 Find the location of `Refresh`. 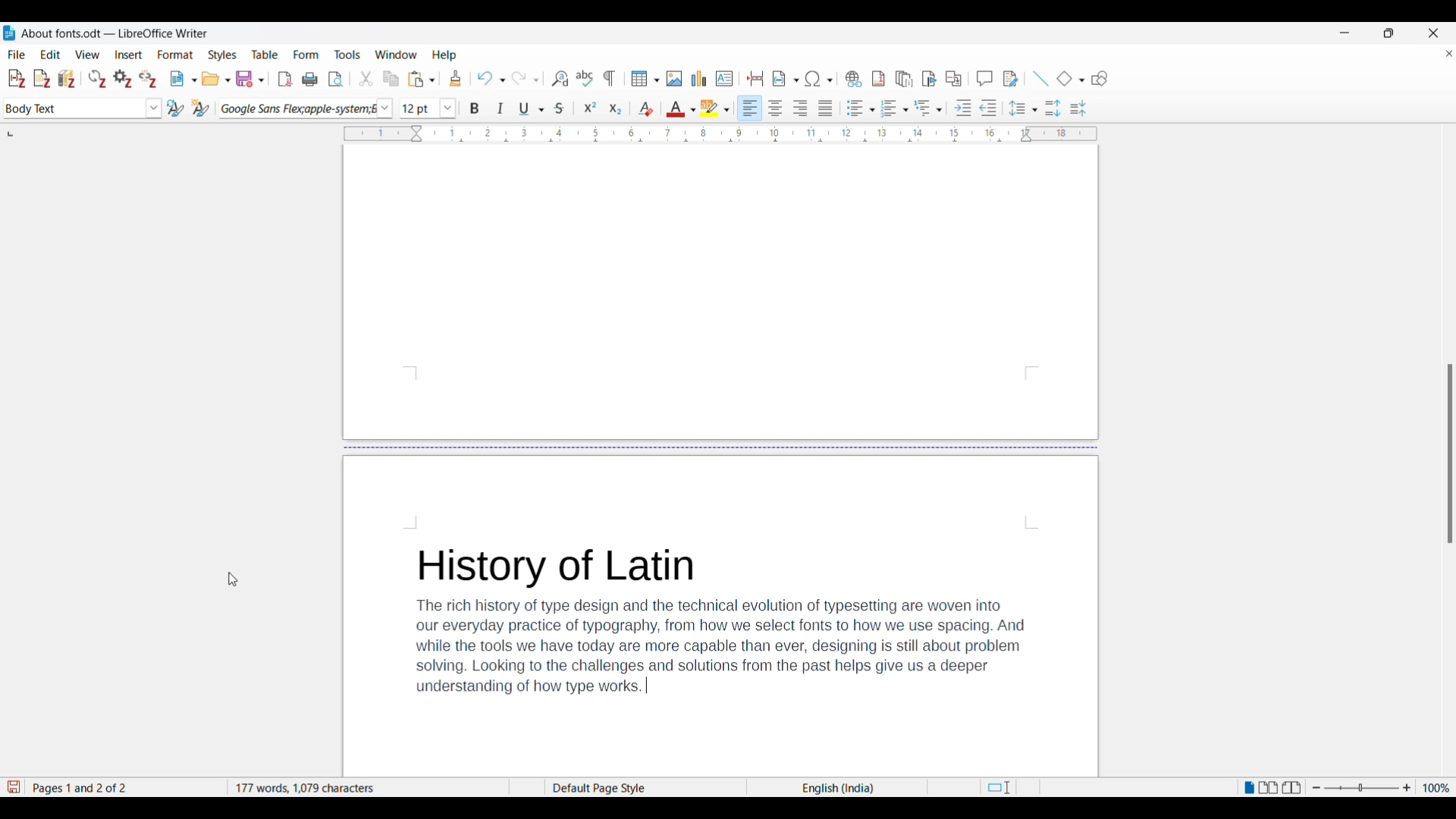

Refresh is located at coordinates (98, 79).